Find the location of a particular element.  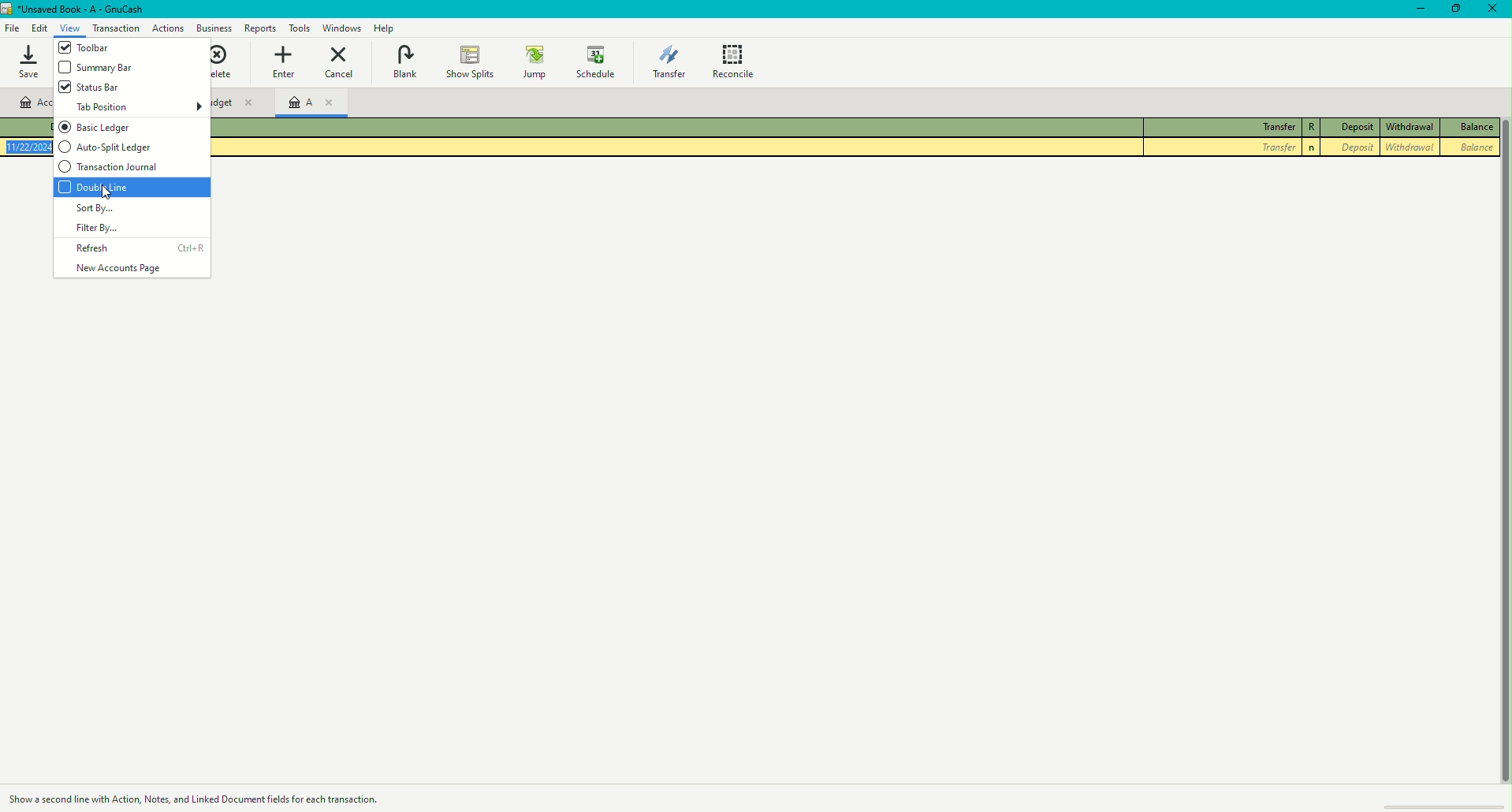

Account A is located at coordinates (311, 102).